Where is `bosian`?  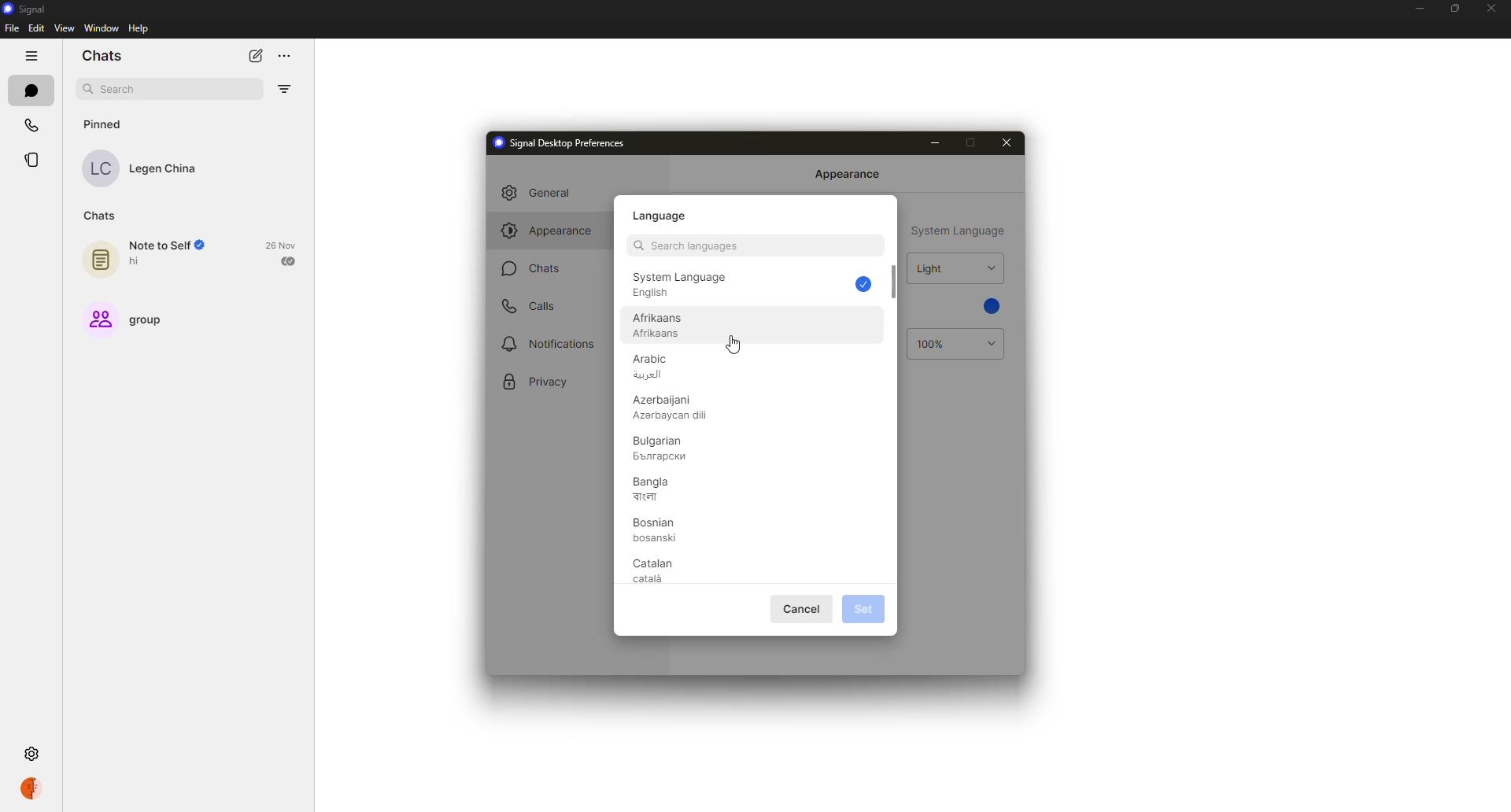 bosian is located at coordinates (656, 530).